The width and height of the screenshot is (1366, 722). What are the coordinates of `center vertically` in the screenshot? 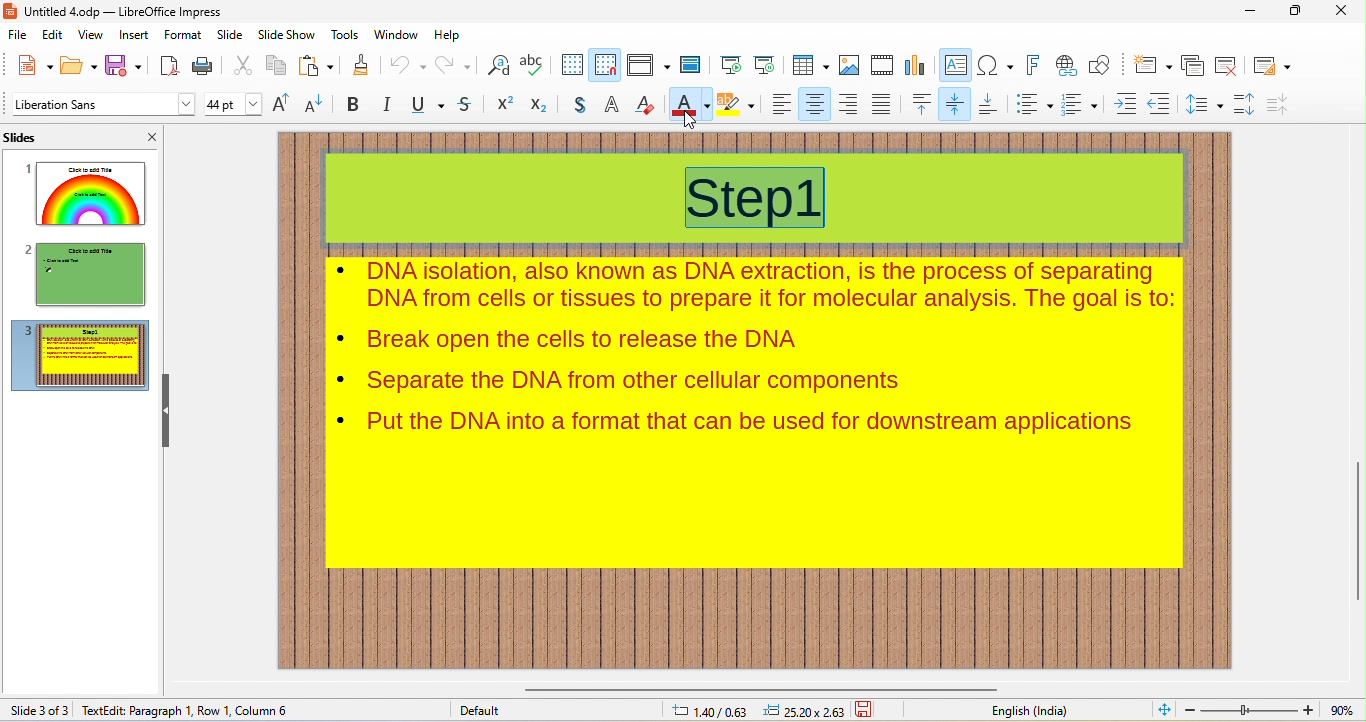 It's located at (954, 104).